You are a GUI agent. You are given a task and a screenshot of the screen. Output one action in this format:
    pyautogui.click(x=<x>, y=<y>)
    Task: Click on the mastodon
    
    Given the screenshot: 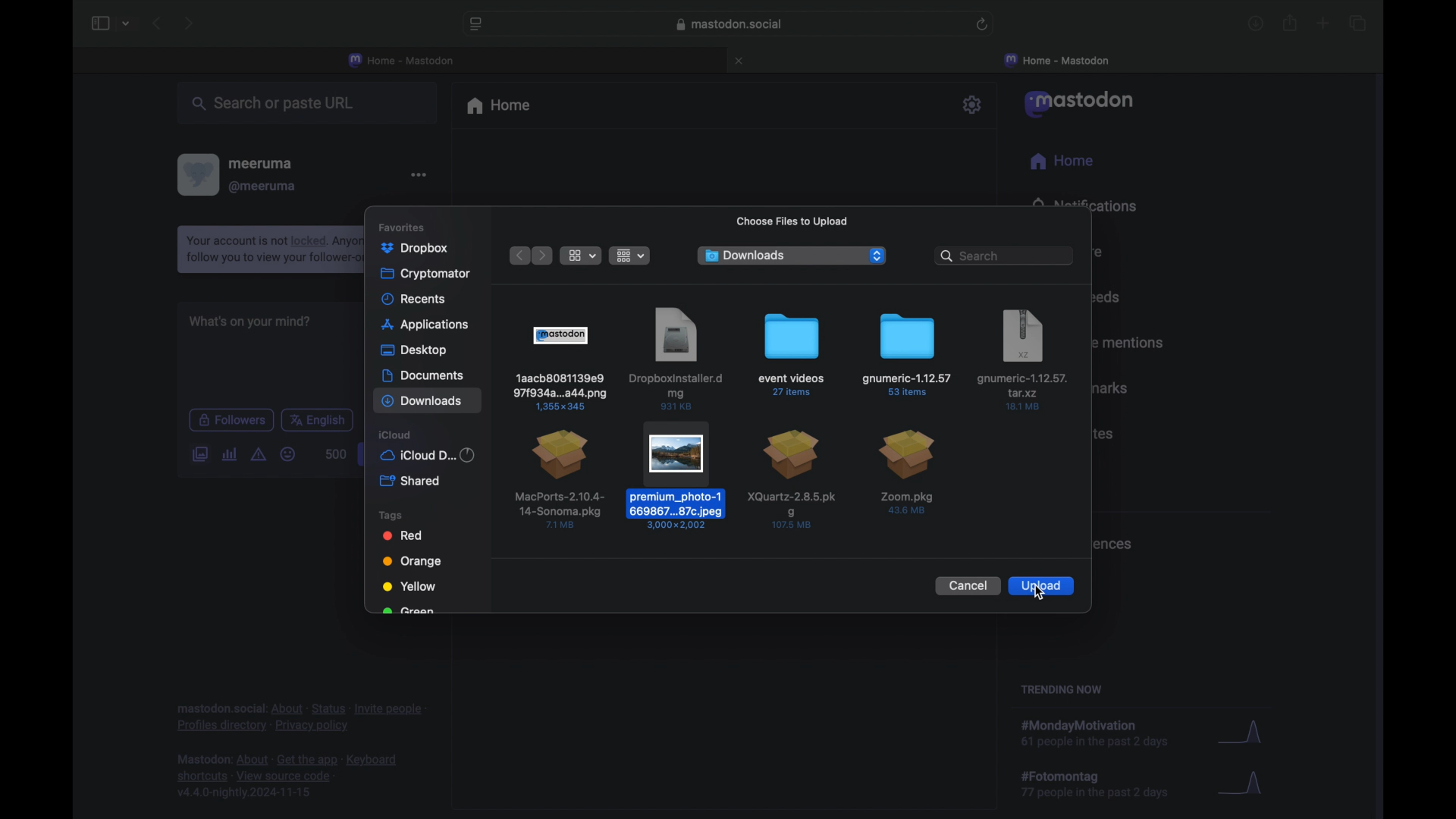 What is the action you would take?
    pyautogui.click(x=1081, y=104)
    